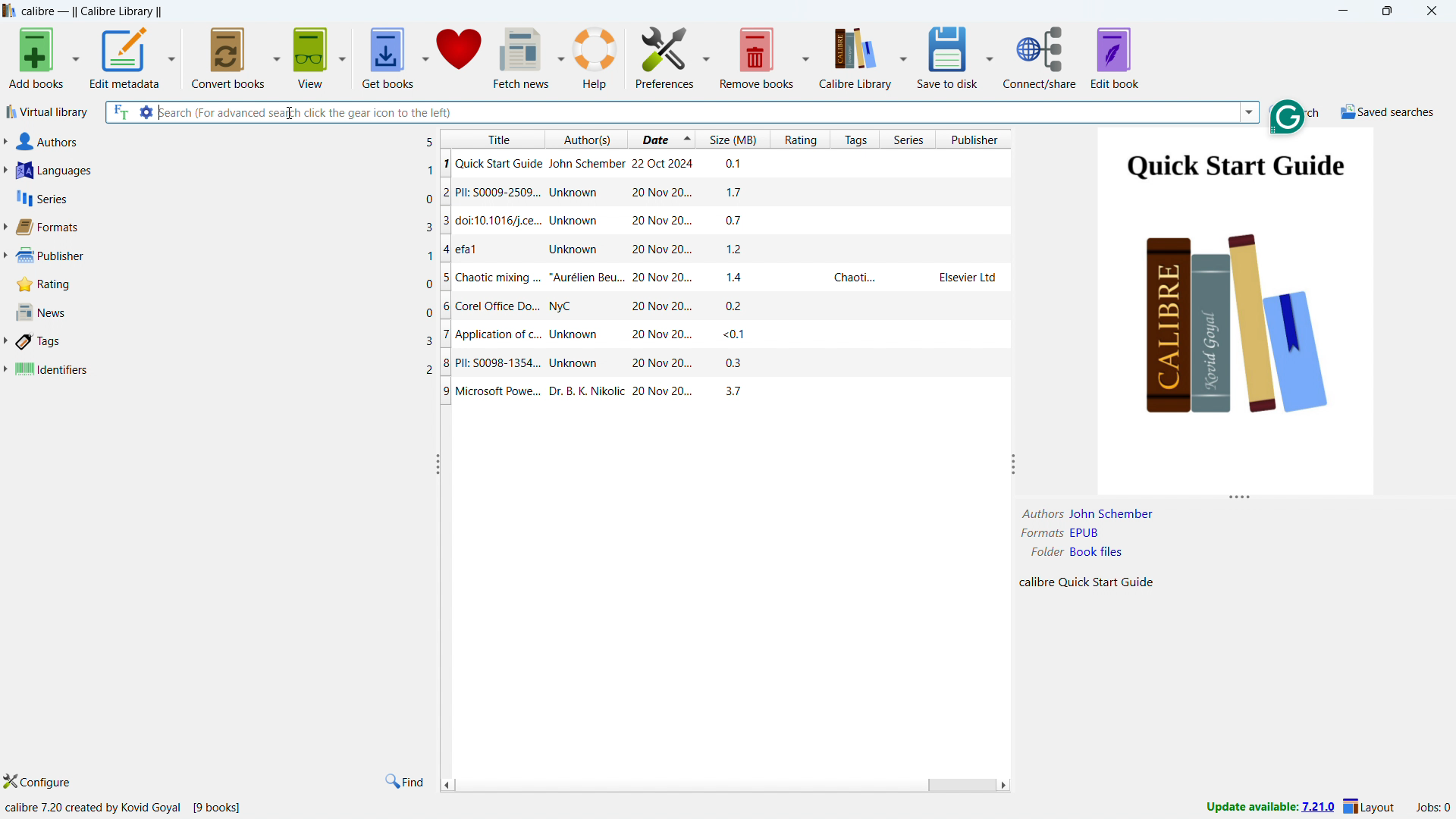 The image size is (1456, 819). Describe the element at coordinates (5, 171) in the screenshot. I see `expand languages` at that location.